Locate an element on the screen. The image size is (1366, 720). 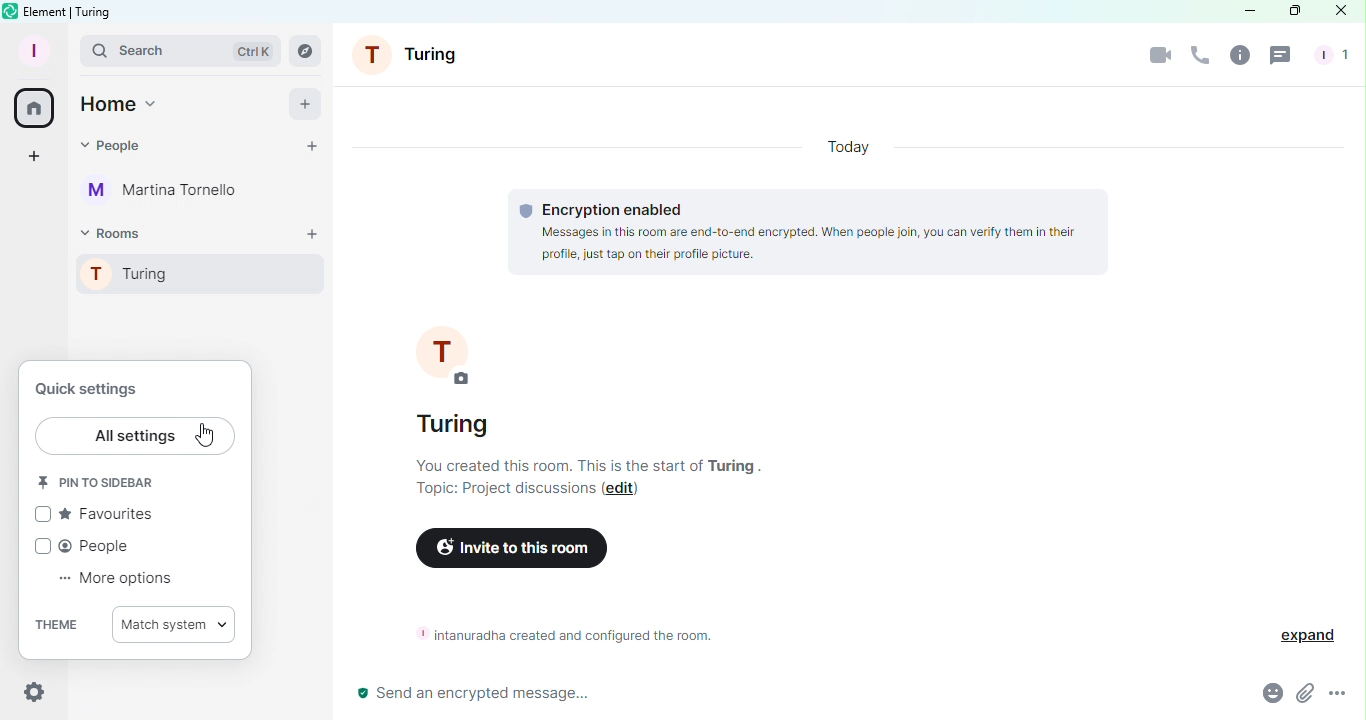
check box is located at coordinates (41, 546).